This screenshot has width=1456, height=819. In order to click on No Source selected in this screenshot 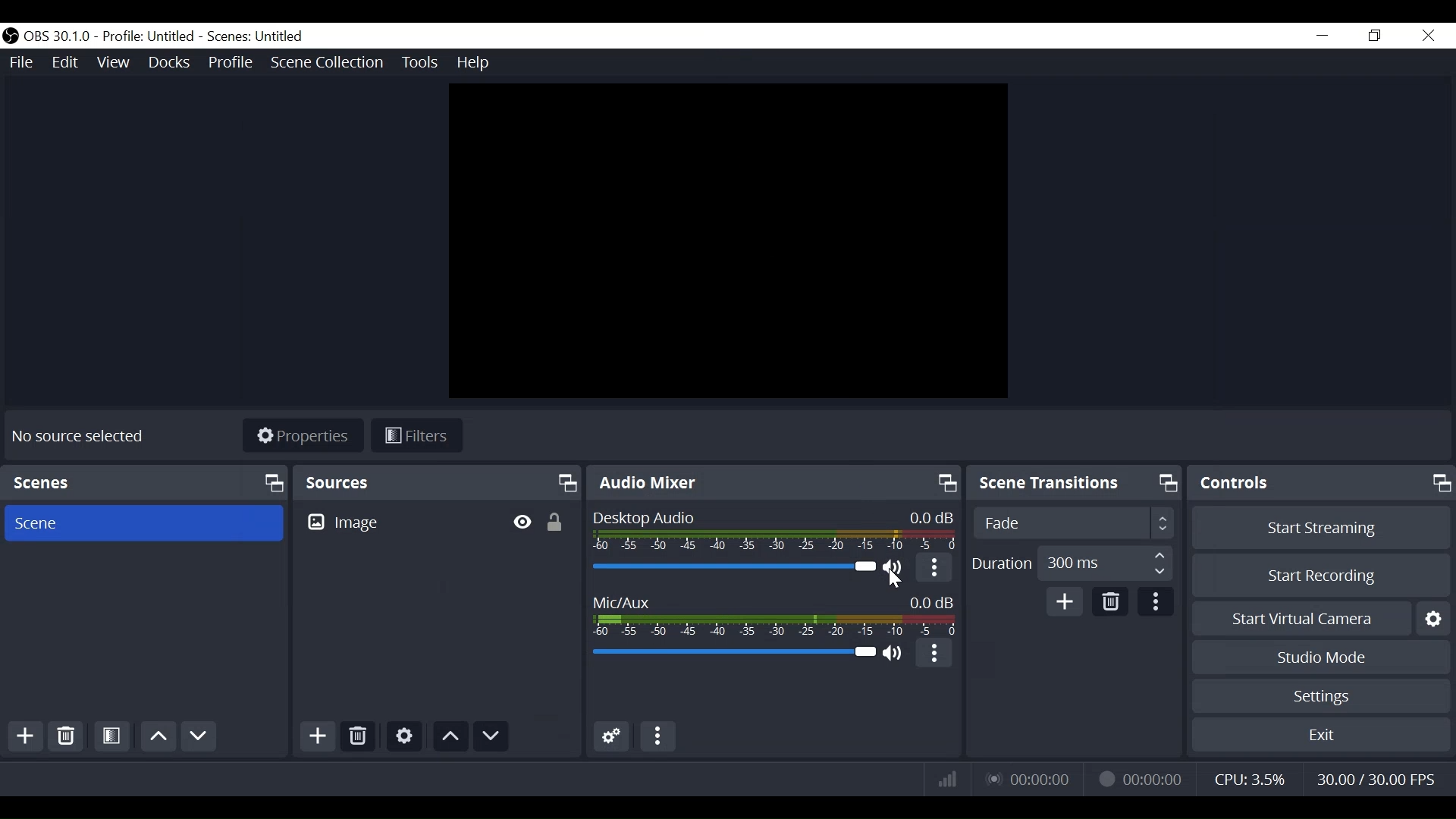, I will do `click(83, 435)`.